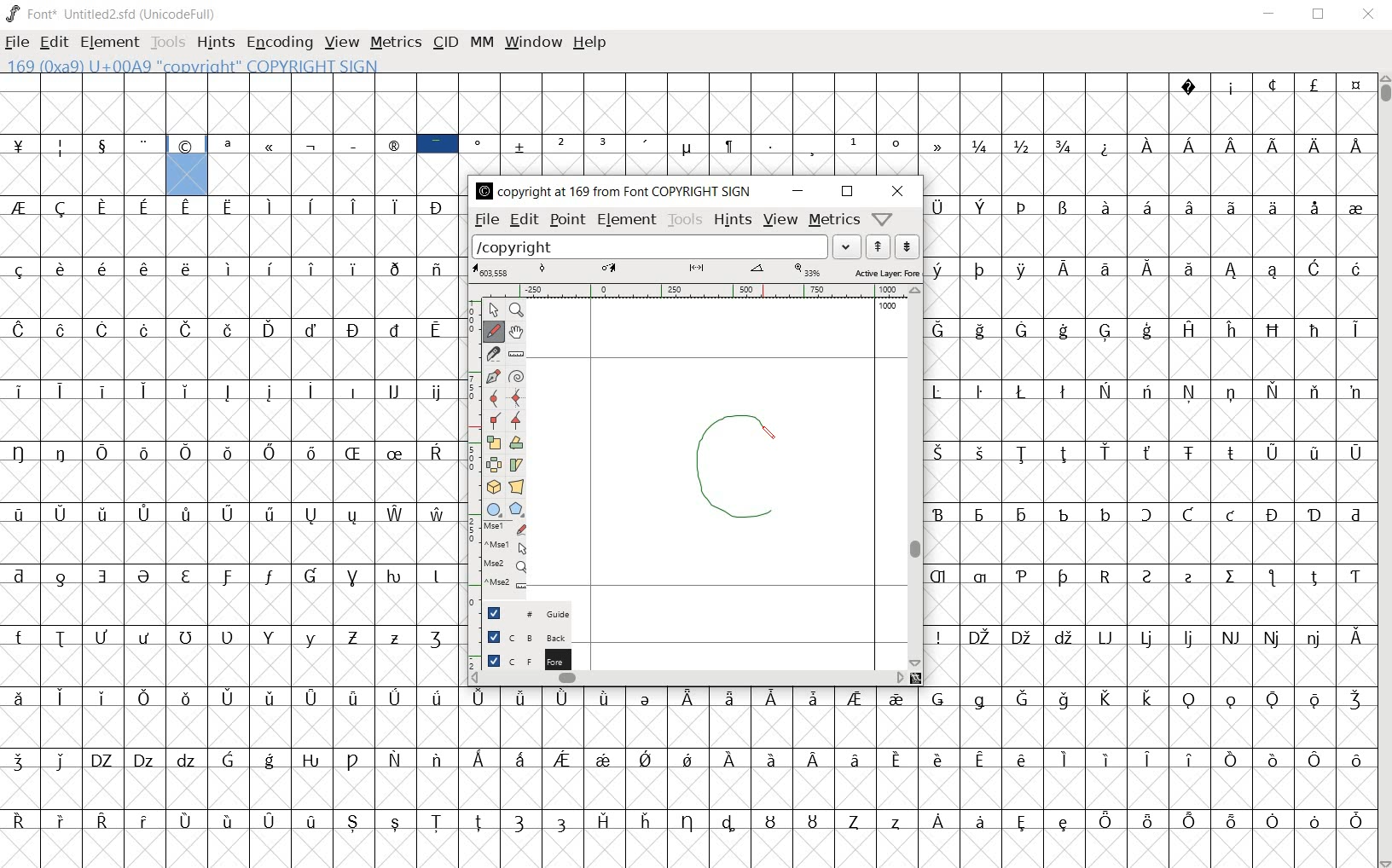 The width and height of the screenshot is (1392, 868). I want to click on window, so click(531, 42).